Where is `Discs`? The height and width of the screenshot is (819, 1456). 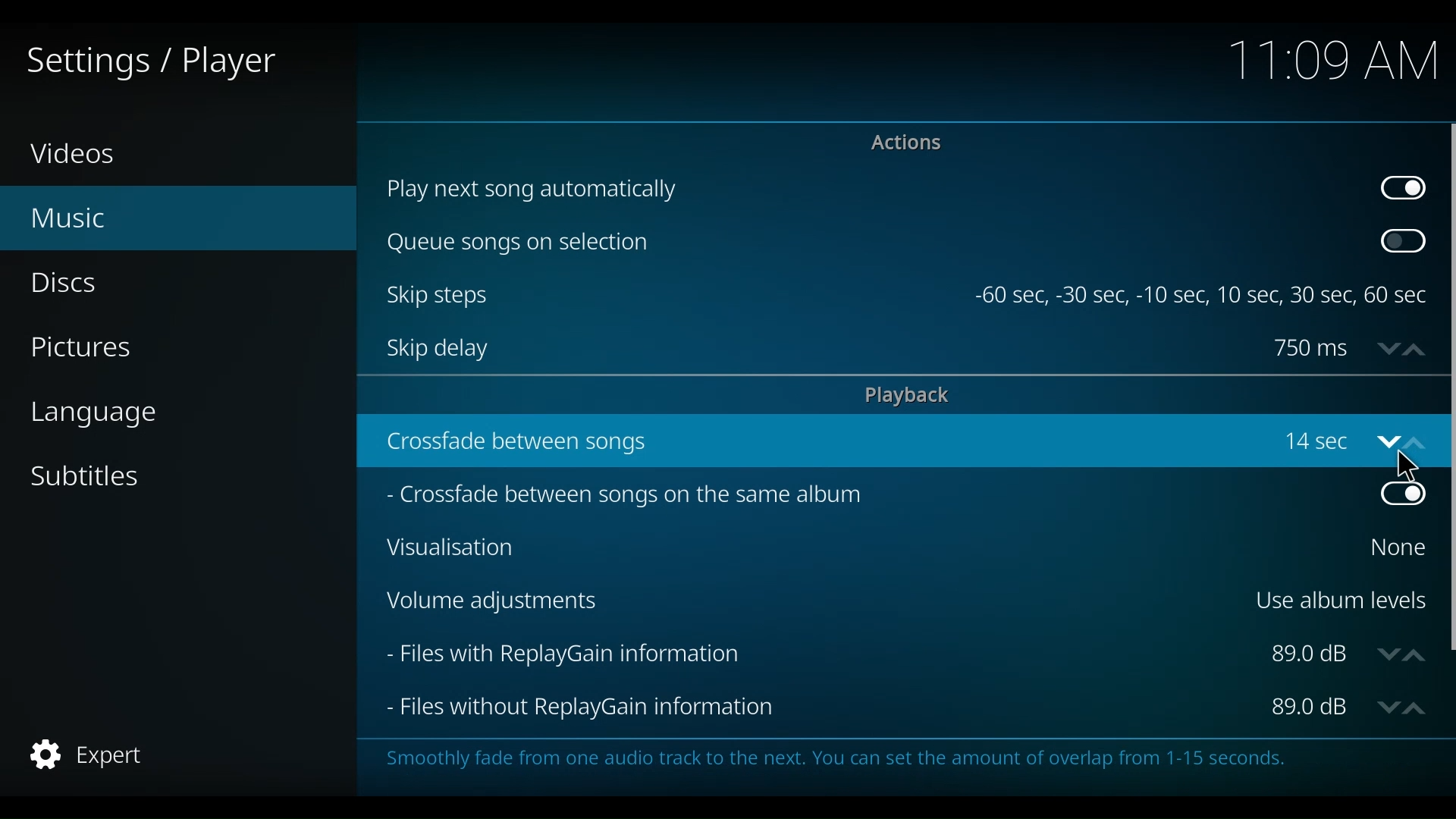
Discs is located at coordinates (70, 284).